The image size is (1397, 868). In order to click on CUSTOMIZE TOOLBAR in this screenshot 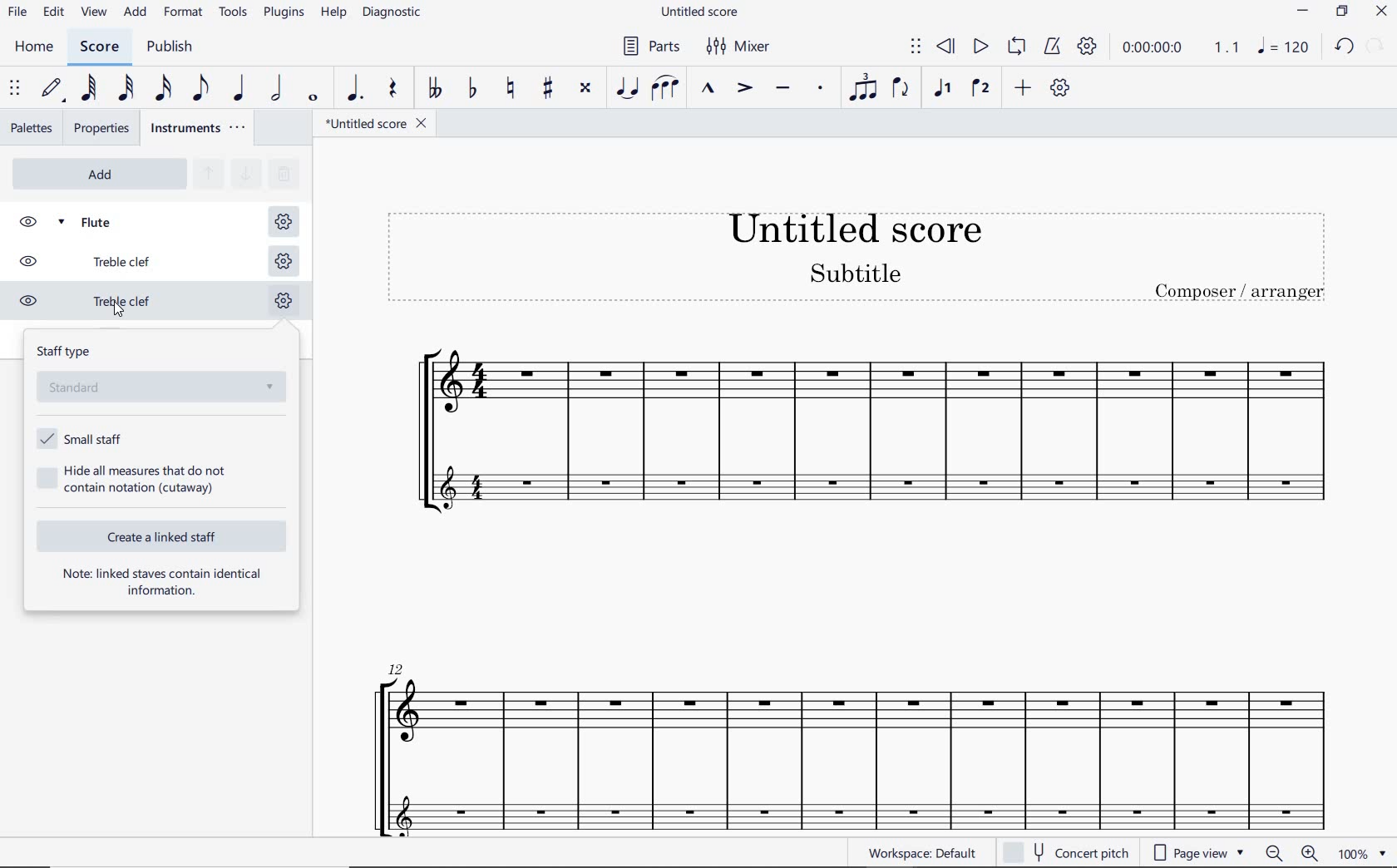, I will do `click(1060, 87)`.